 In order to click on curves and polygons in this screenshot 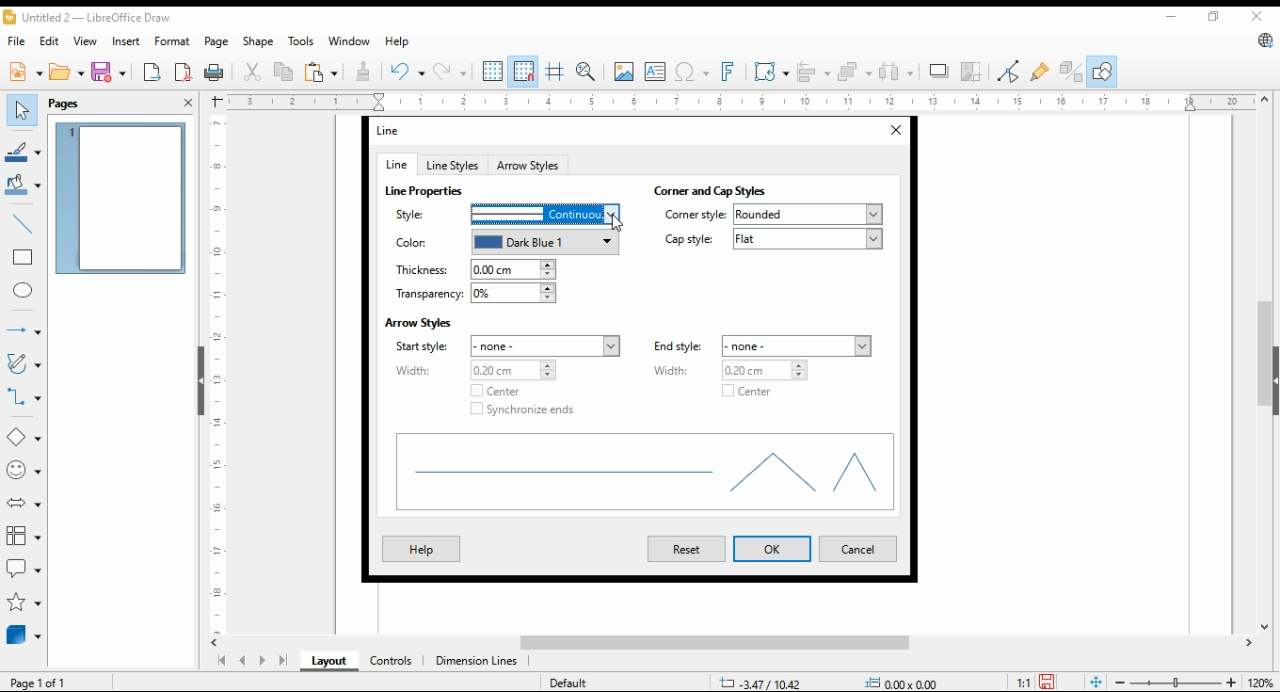, I will do `click(22, 365)`.